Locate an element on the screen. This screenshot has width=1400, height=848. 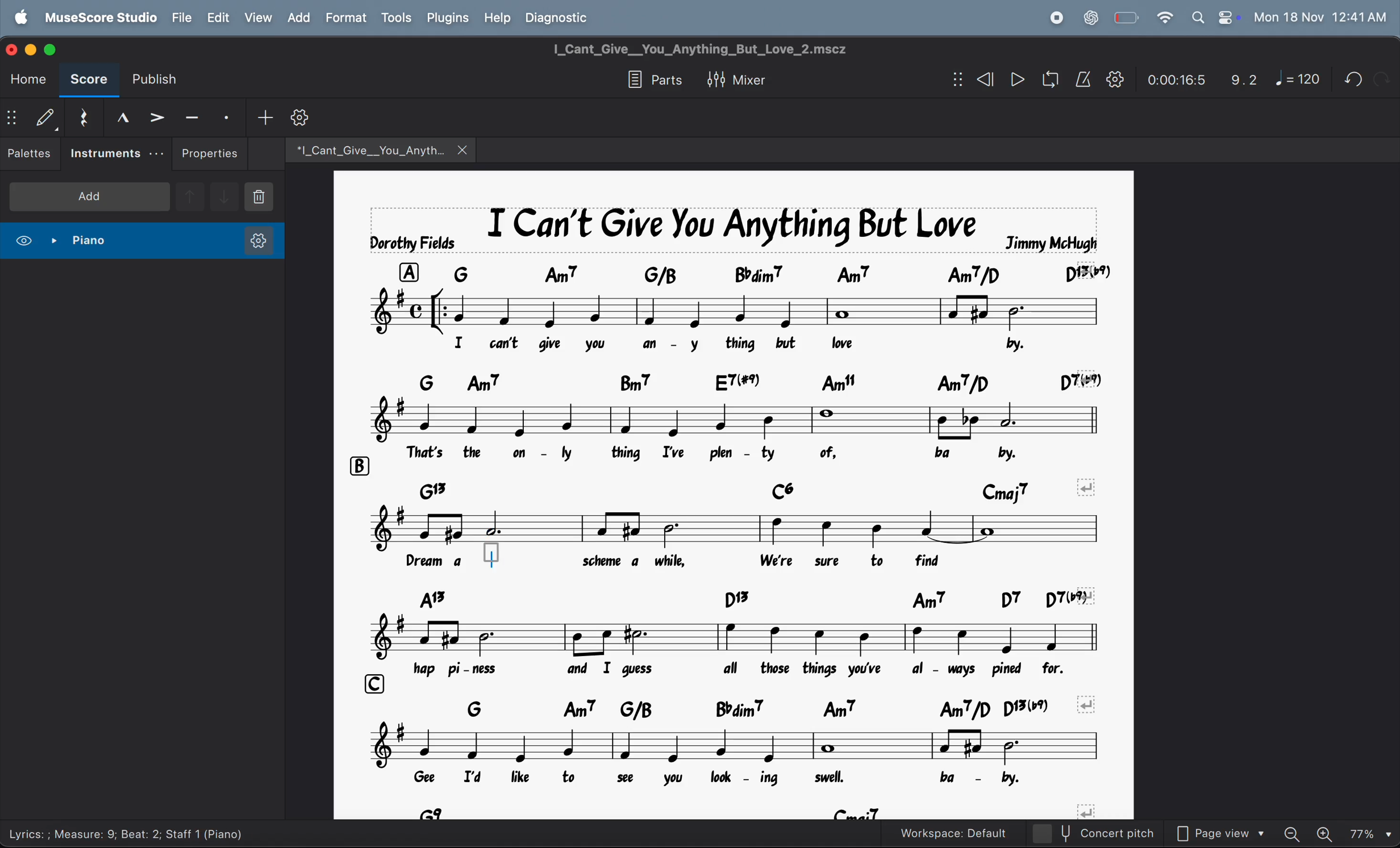
minimize is located at coordinates (33, 49).